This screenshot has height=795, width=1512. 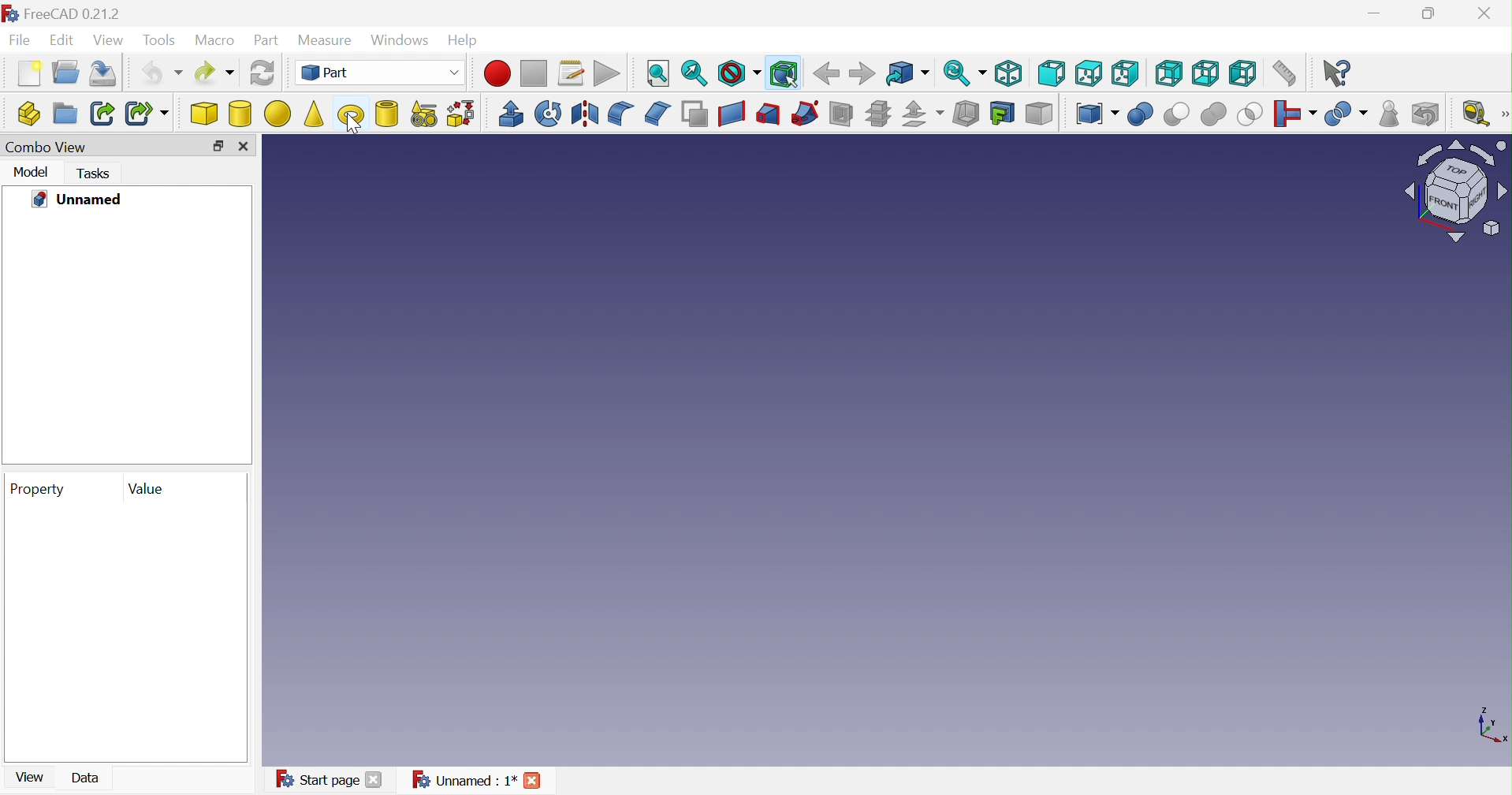 I want to click on Extrude, so click(x=512, y=114).